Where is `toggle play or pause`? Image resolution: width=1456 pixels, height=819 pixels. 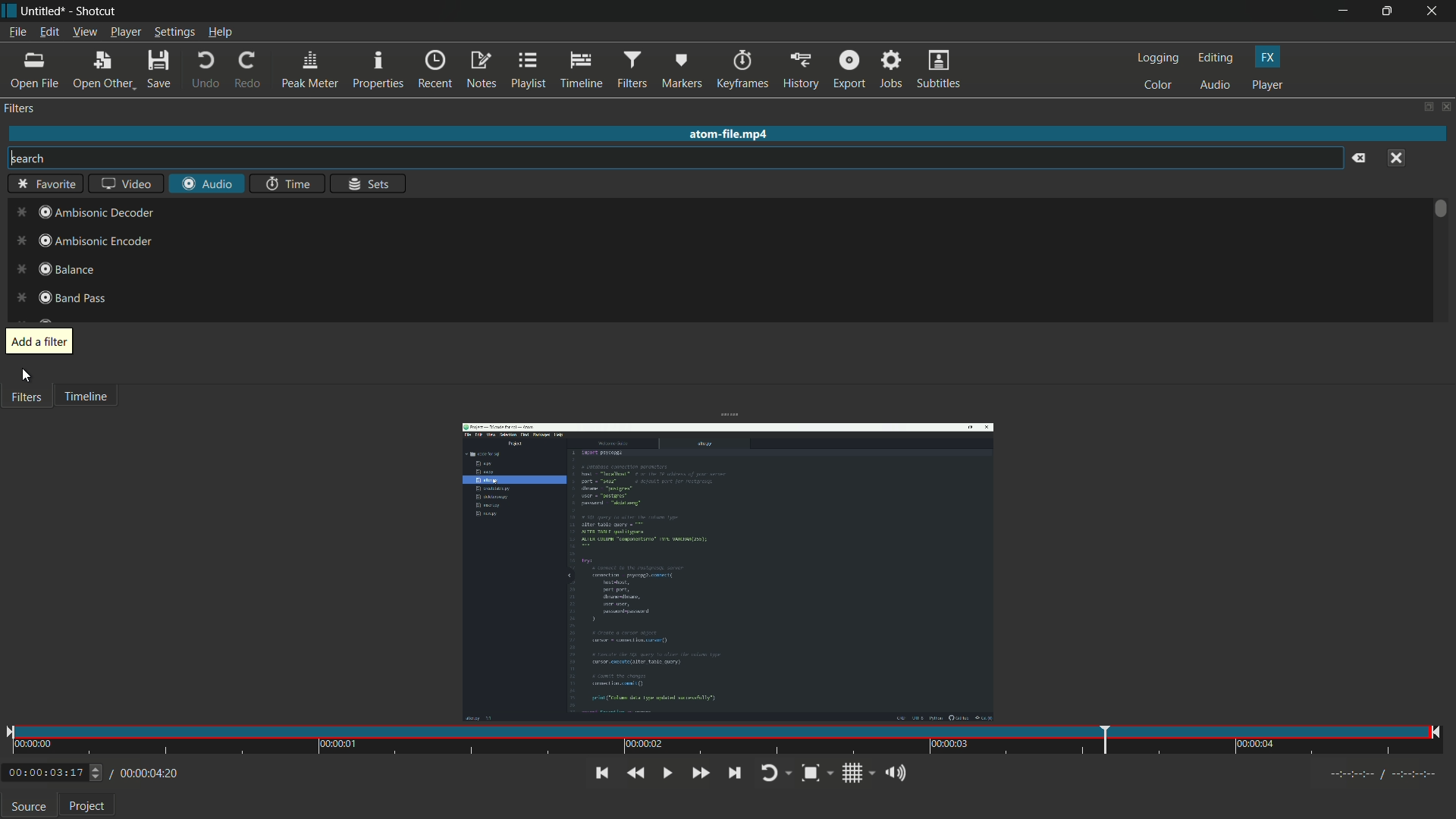 toggle play or pause is located at coordinates (665, 773).